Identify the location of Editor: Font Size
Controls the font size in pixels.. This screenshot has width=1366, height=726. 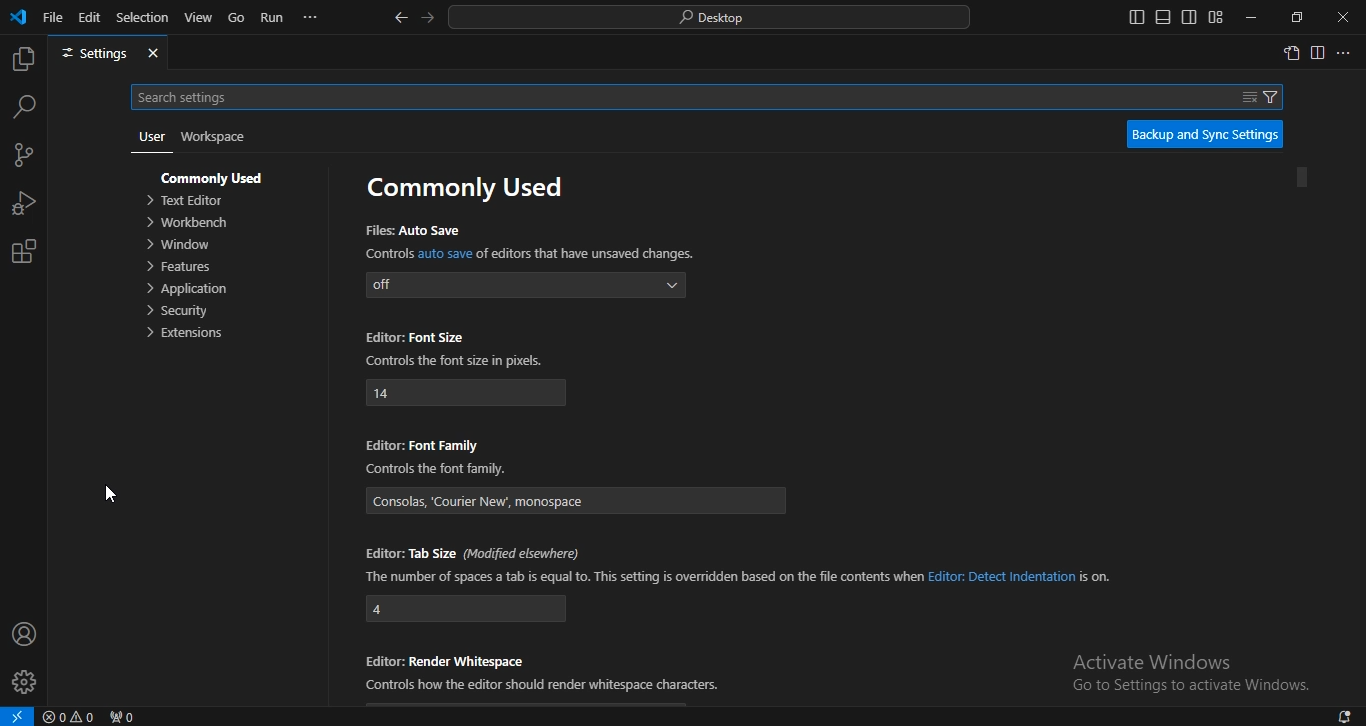
(455, 348).